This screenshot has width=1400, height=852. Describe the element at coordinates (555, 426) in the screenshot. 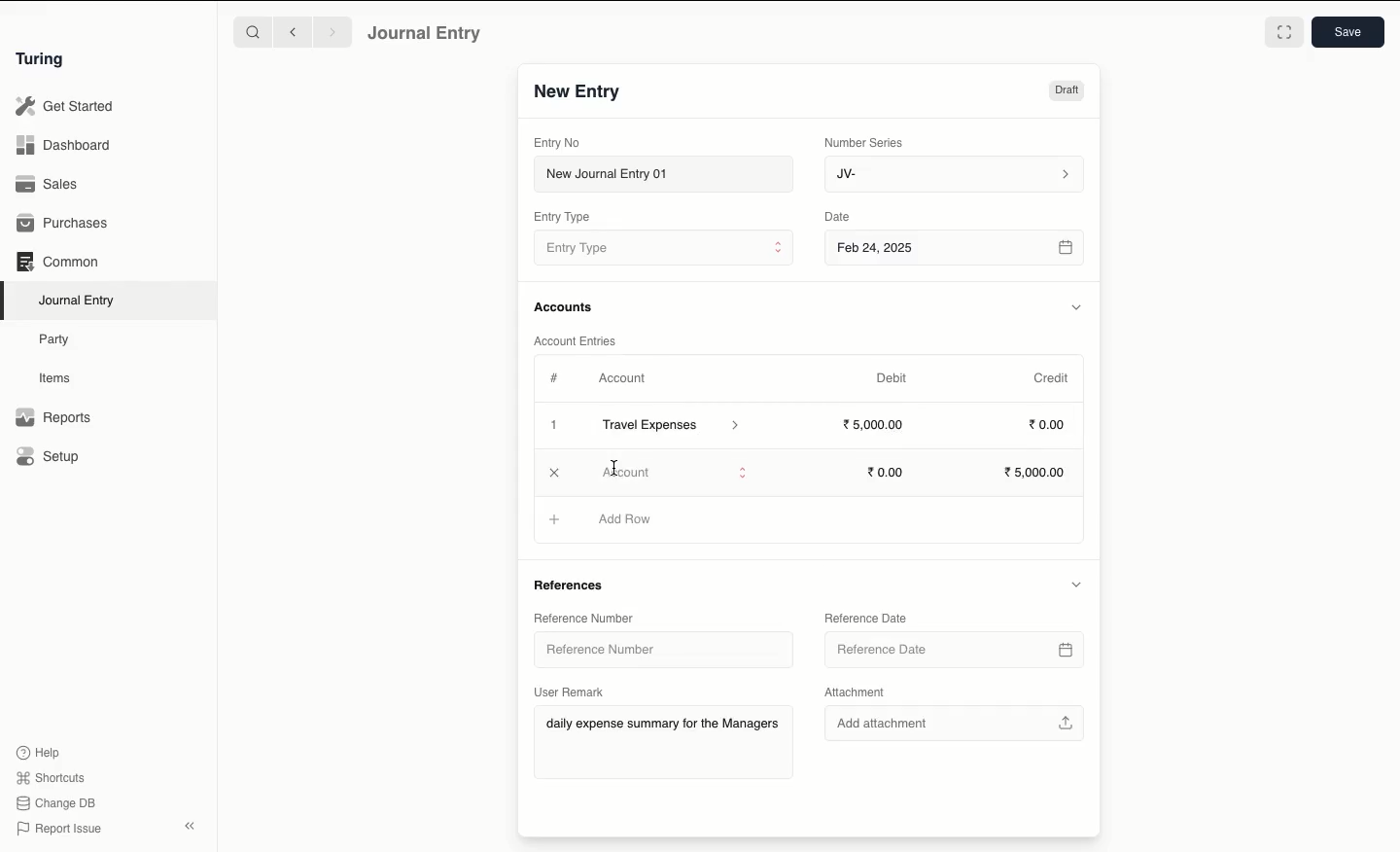

I see `Add` at that location.